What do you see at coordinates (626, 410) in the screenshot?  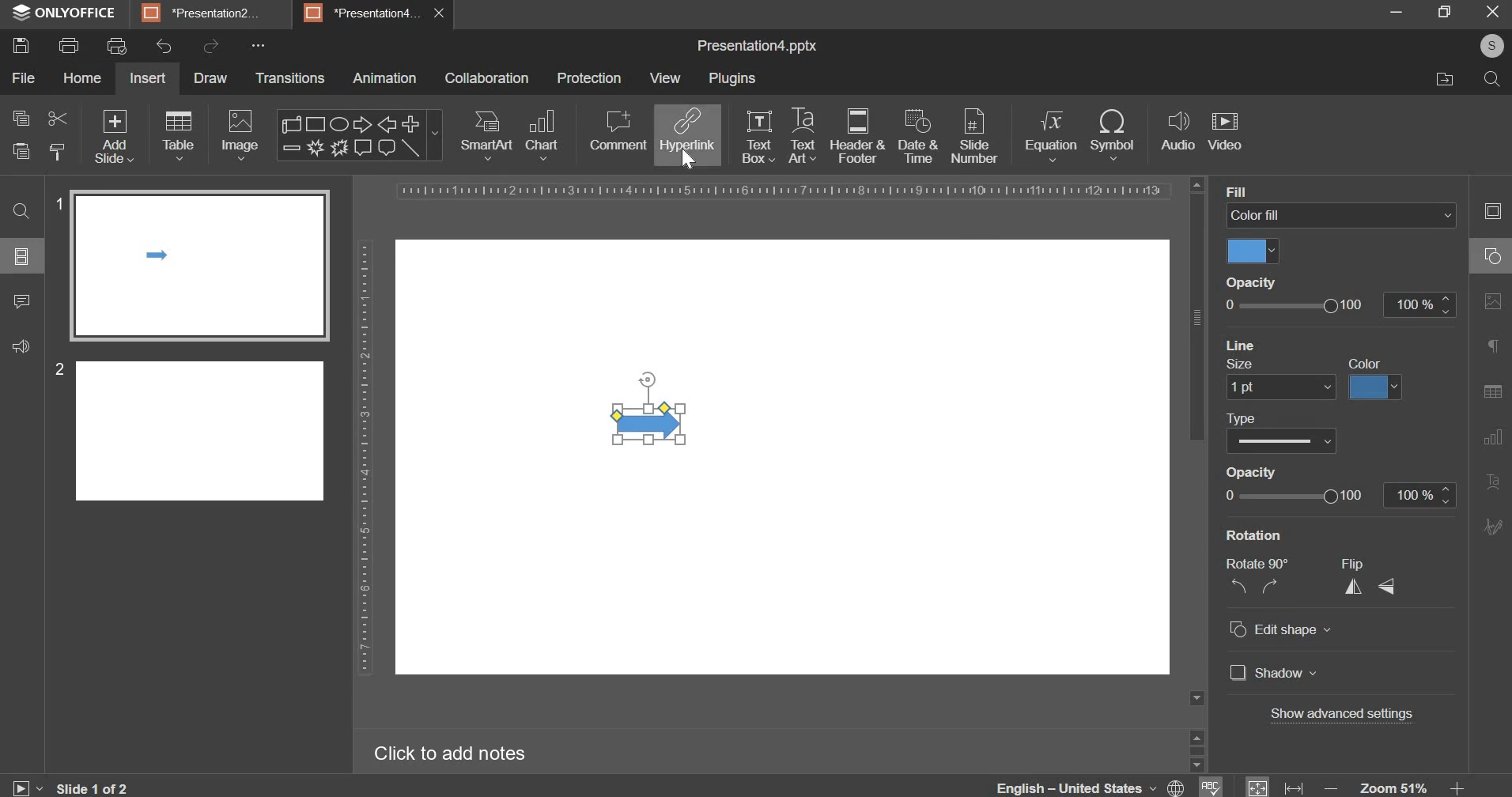 I see `Arrow symbol` at bounding box center [626, 410].